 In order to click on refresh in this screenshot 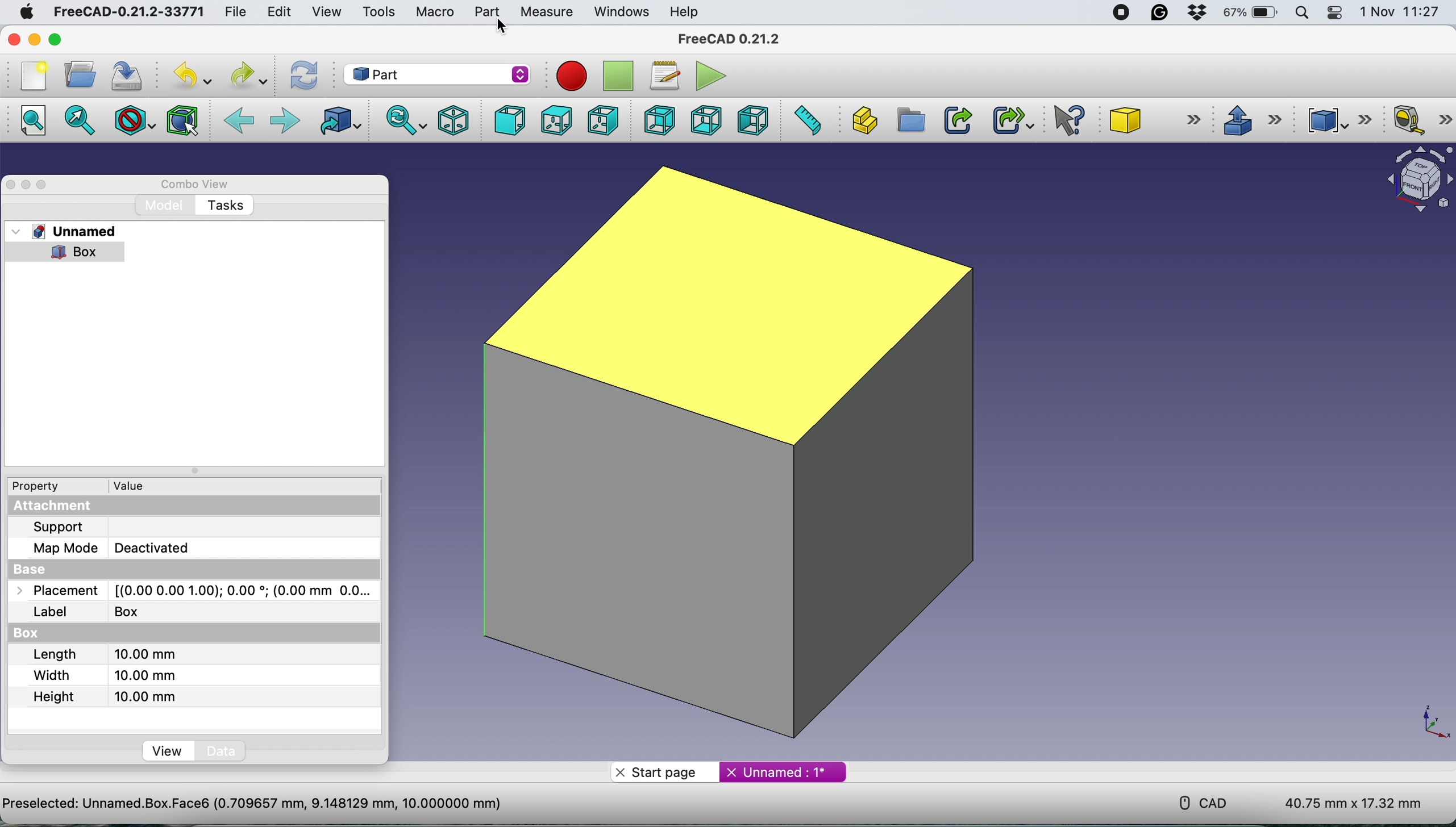, I will do `click(302, 73)`.